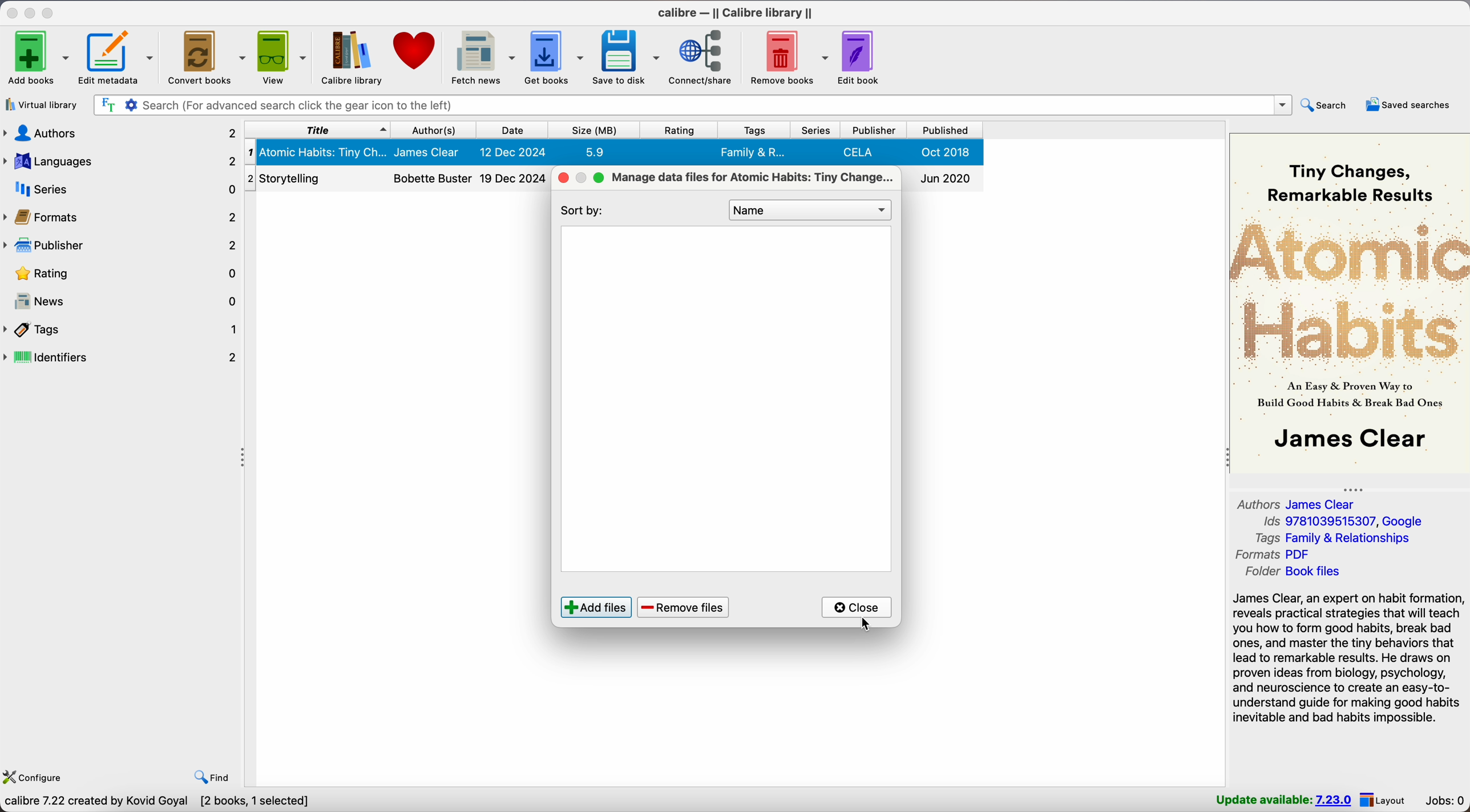  What do you see at coordinates (1297, 504) in the screenshot?
I see `authors James Clear` at bounding box center [1297, 504].